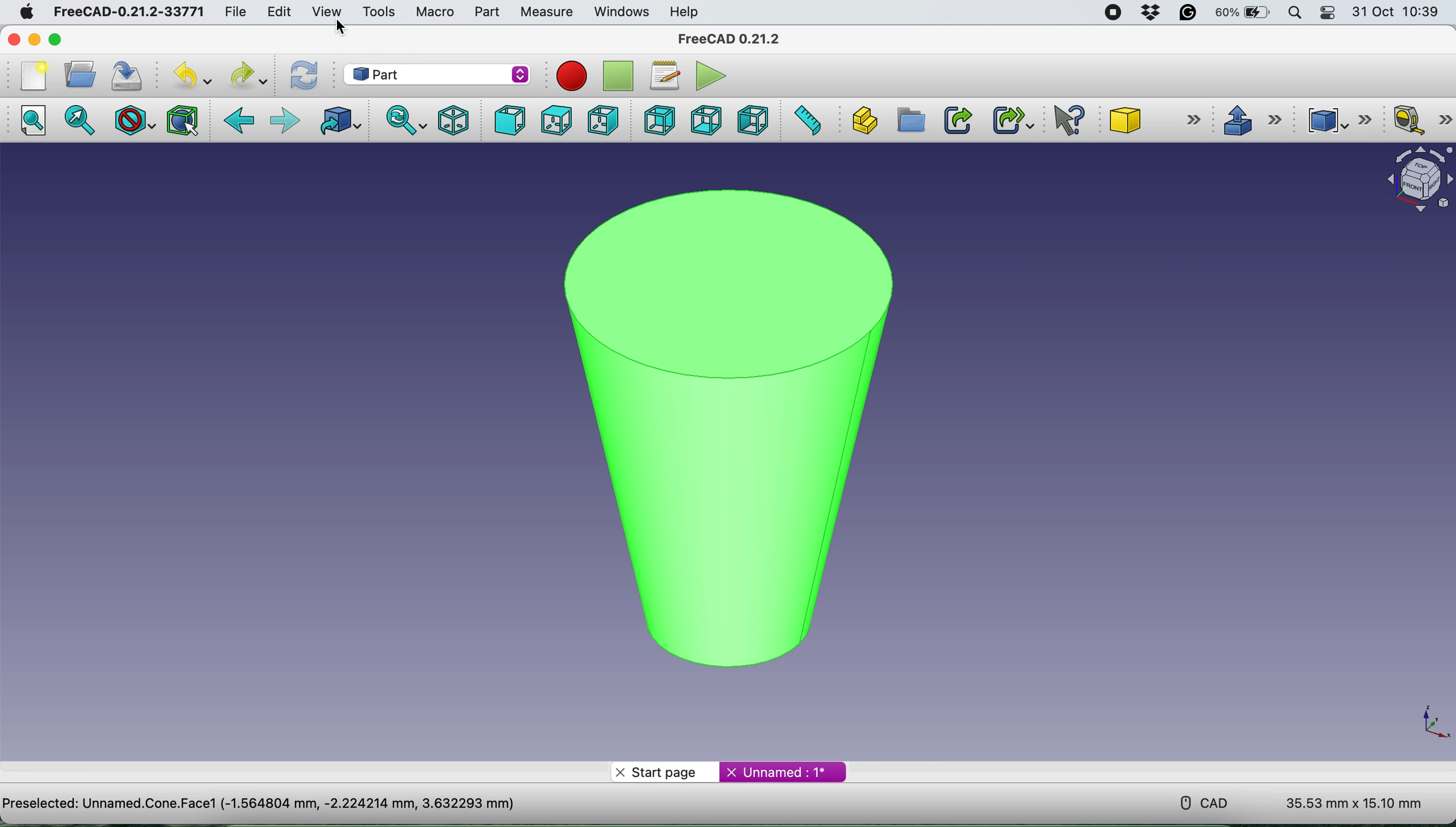 This screenshot has width=1456, height=827. I want to click on measure distance, so click(808, 121).